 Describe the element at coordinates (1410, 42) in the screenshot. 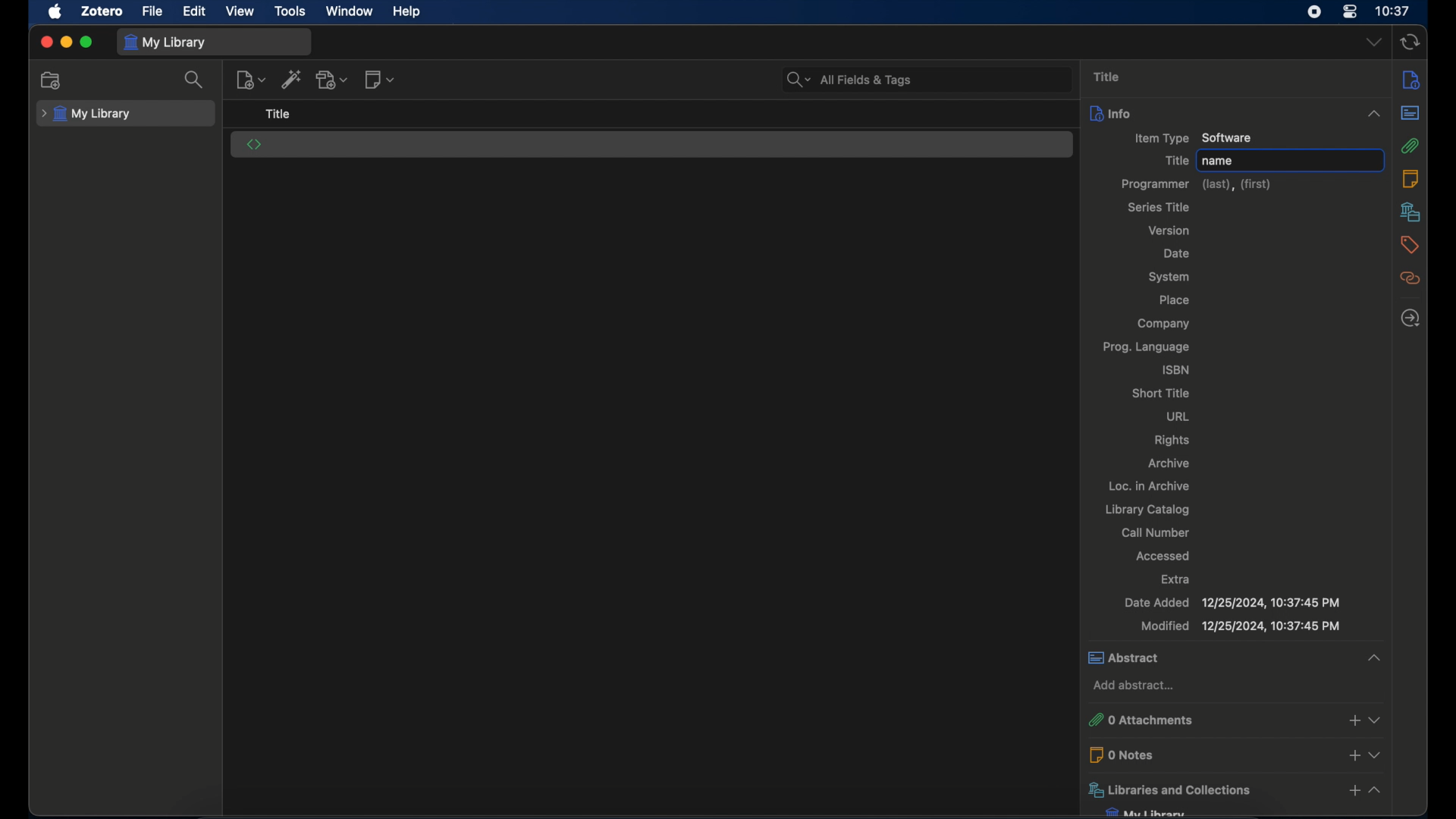

I see `sync` at that location.